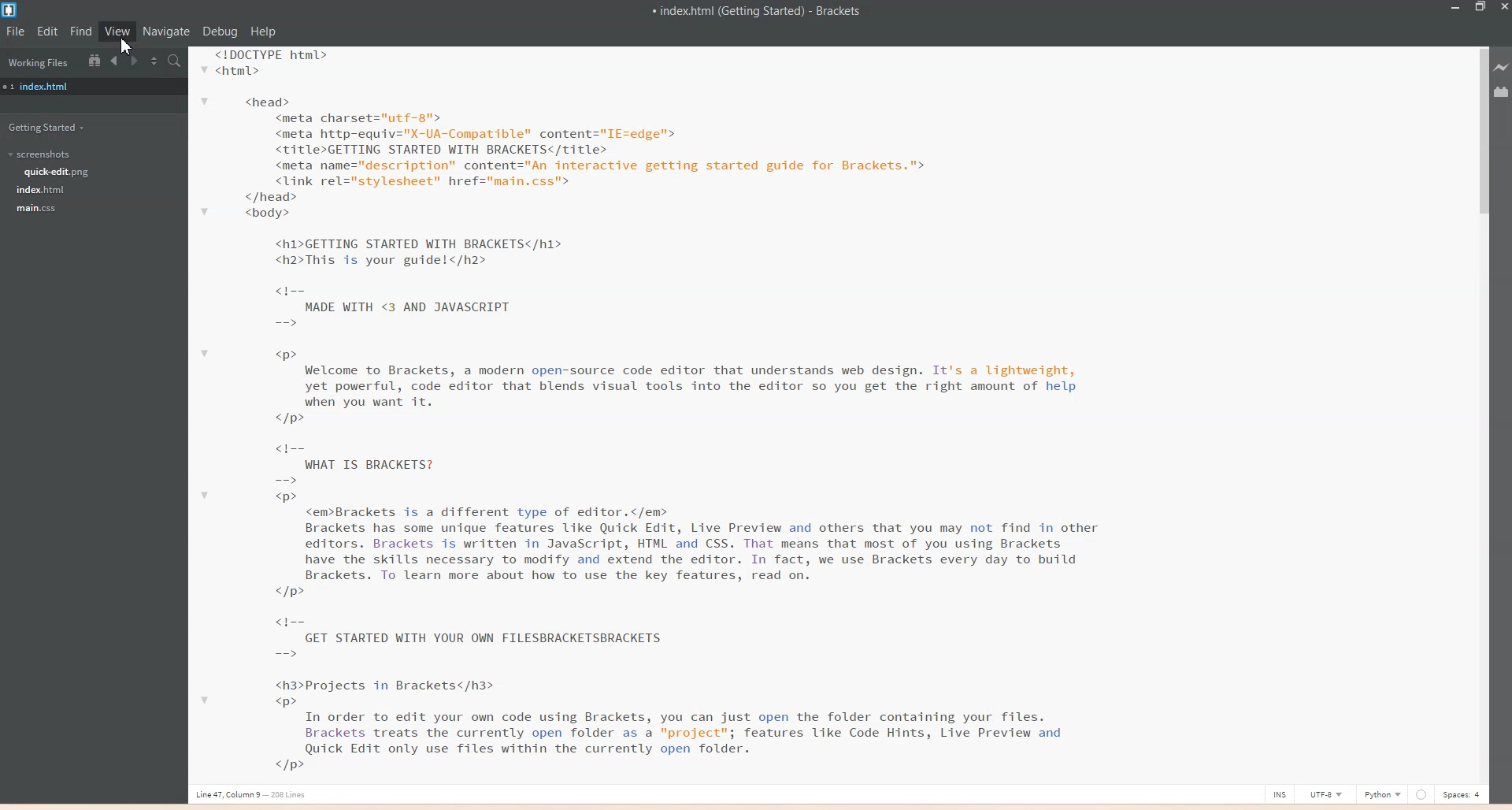 The height and width of the screenshot is (810, 1512). Describe the element at coordinates (655, 409) in the screenshot. I see `Text 2` at that location.